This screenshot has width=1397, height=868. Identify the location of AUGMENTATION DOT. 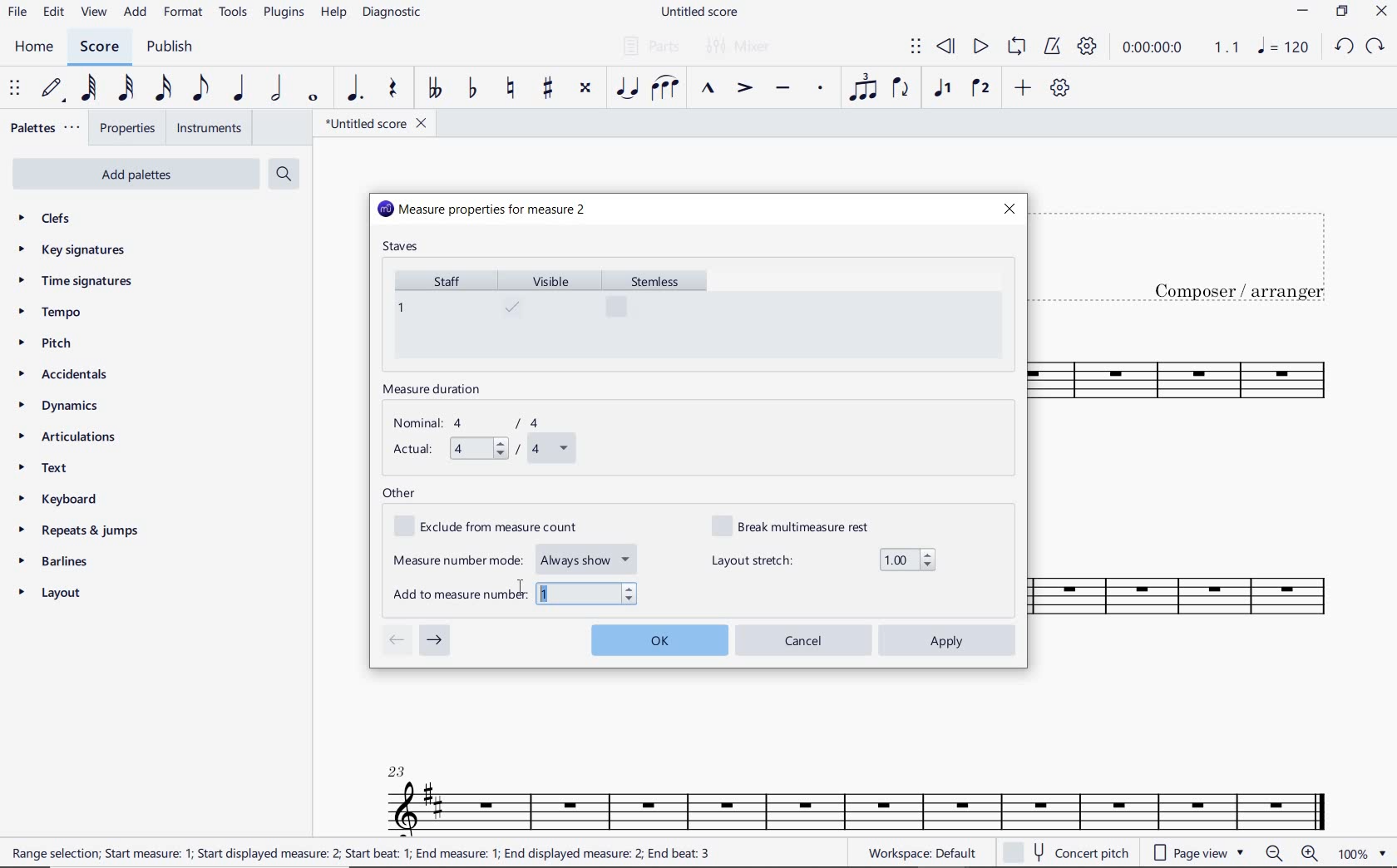
(357, 89).